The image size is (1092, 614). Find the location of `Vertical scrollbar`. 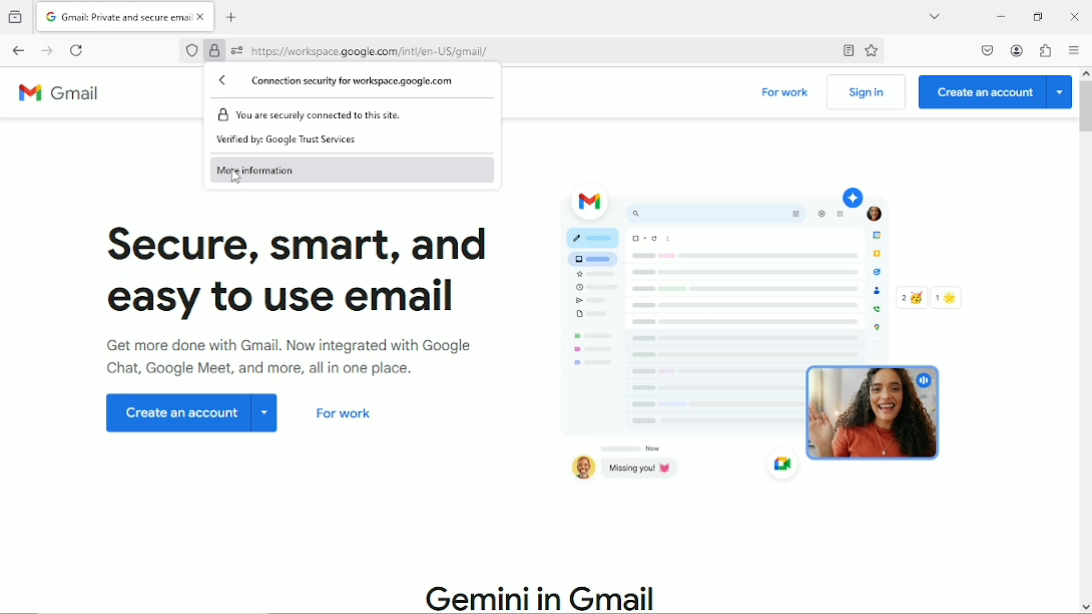

Vertical scrollbar is located at coordinates (1085, 109).